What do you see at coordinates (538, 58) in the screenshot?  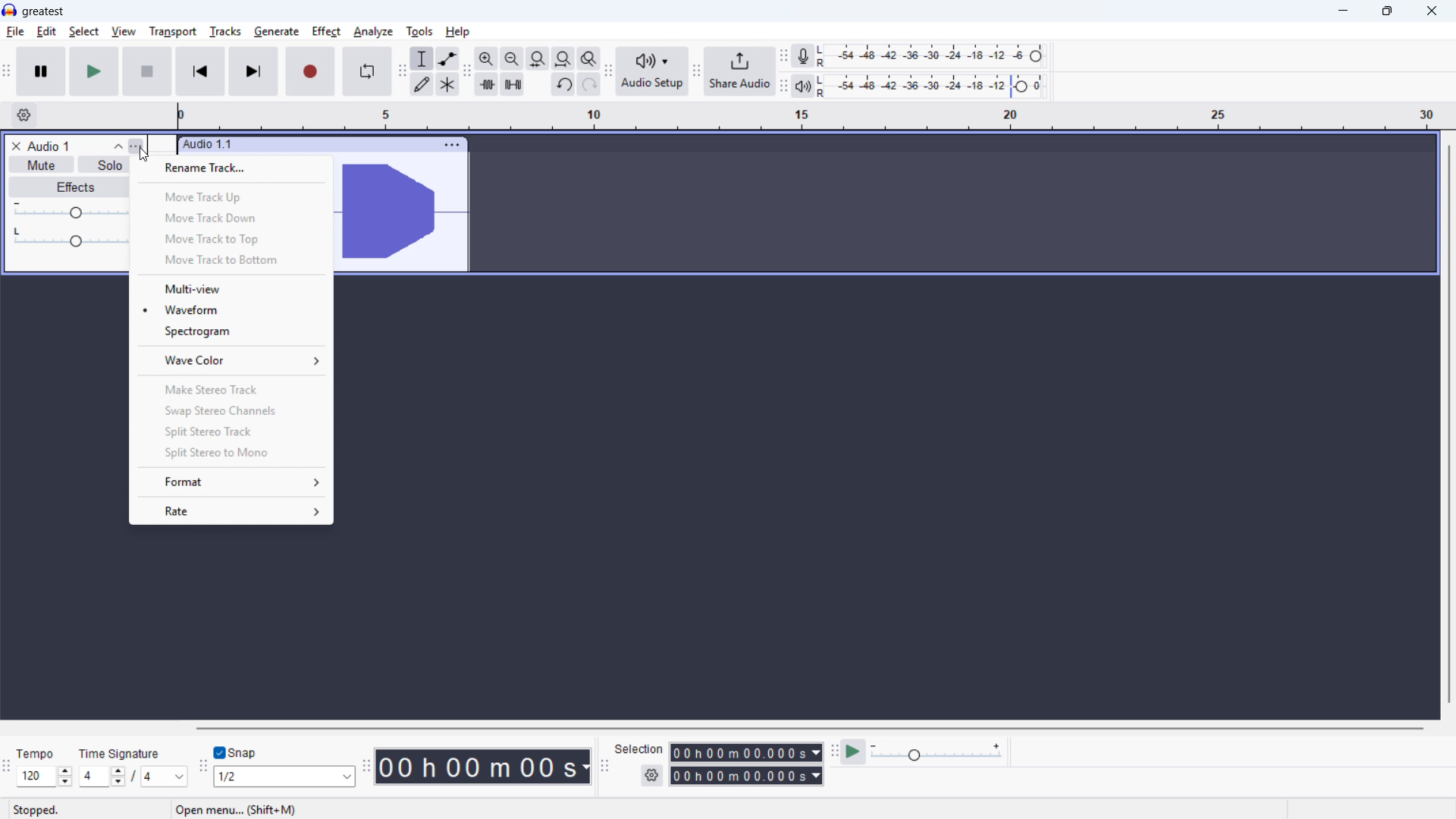 I see `fit selection to width` at bounding box center [538, 58].